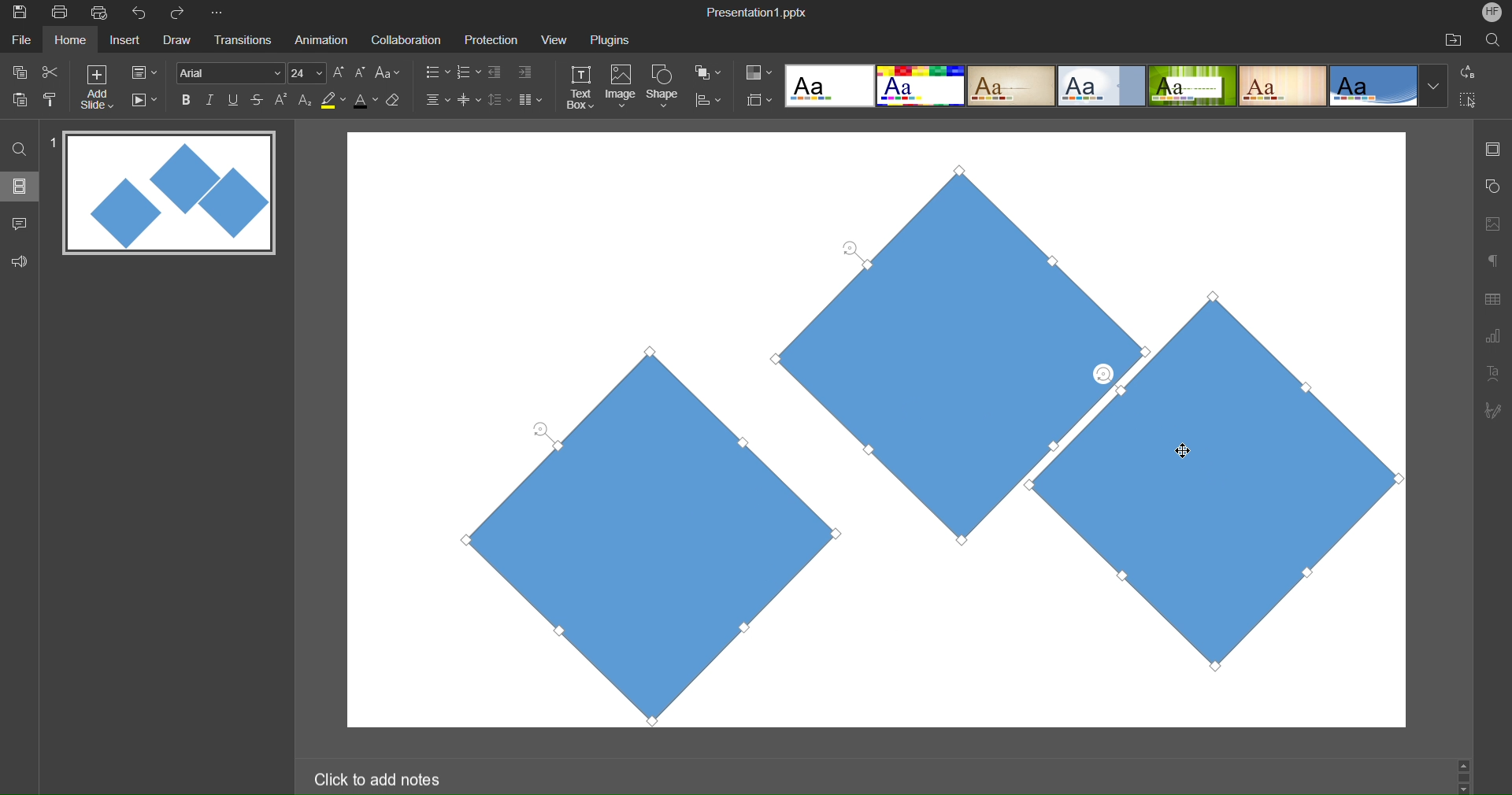 Image resolution: width=1512 pixels, height=795 pixels. Describe the element at coordinates (70, 40) in the screenshot. I see `Home` at that location.